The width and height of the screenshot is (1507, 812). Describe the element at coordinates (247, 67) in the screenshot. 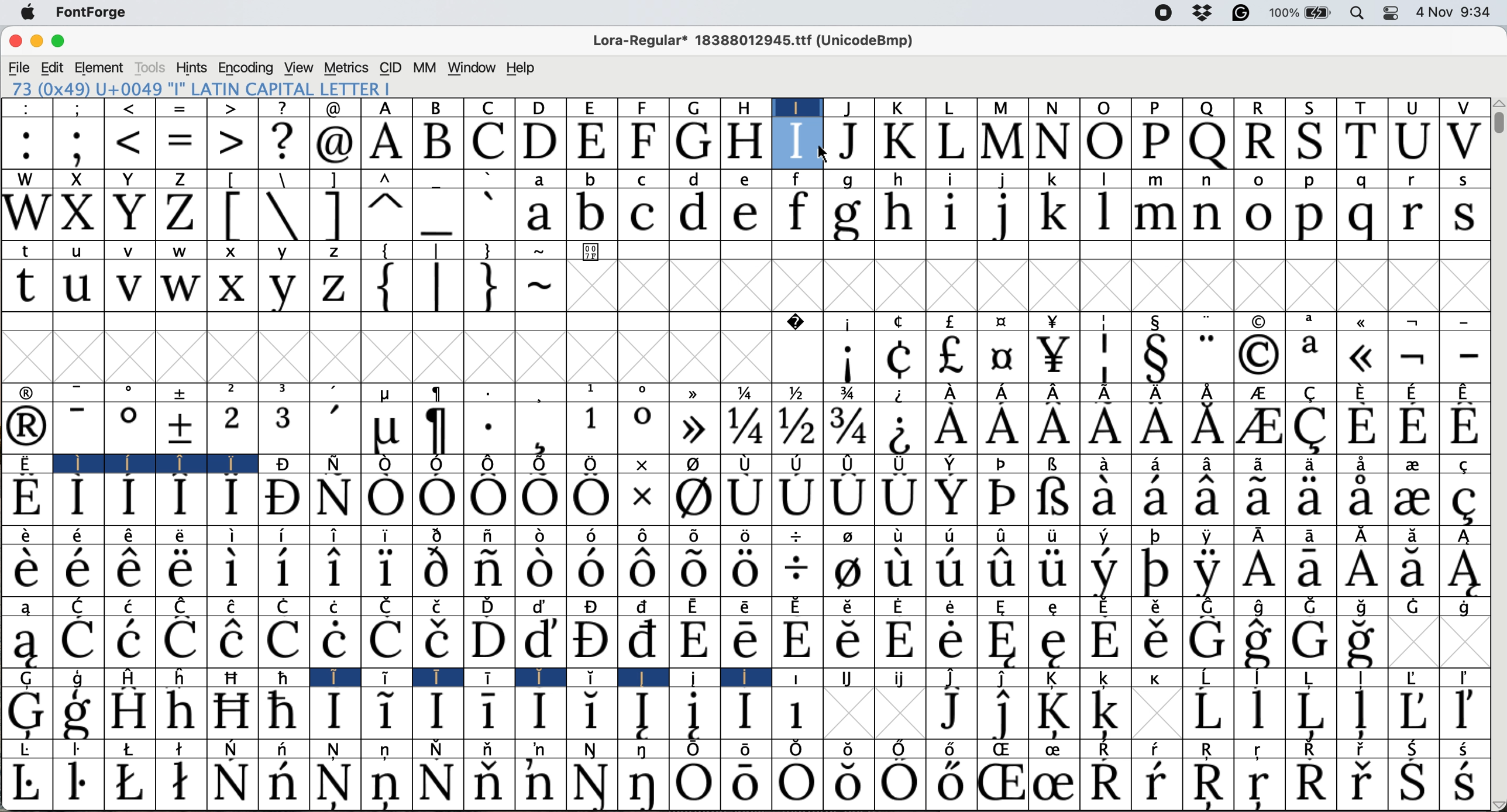

I see `encoding` at that location.